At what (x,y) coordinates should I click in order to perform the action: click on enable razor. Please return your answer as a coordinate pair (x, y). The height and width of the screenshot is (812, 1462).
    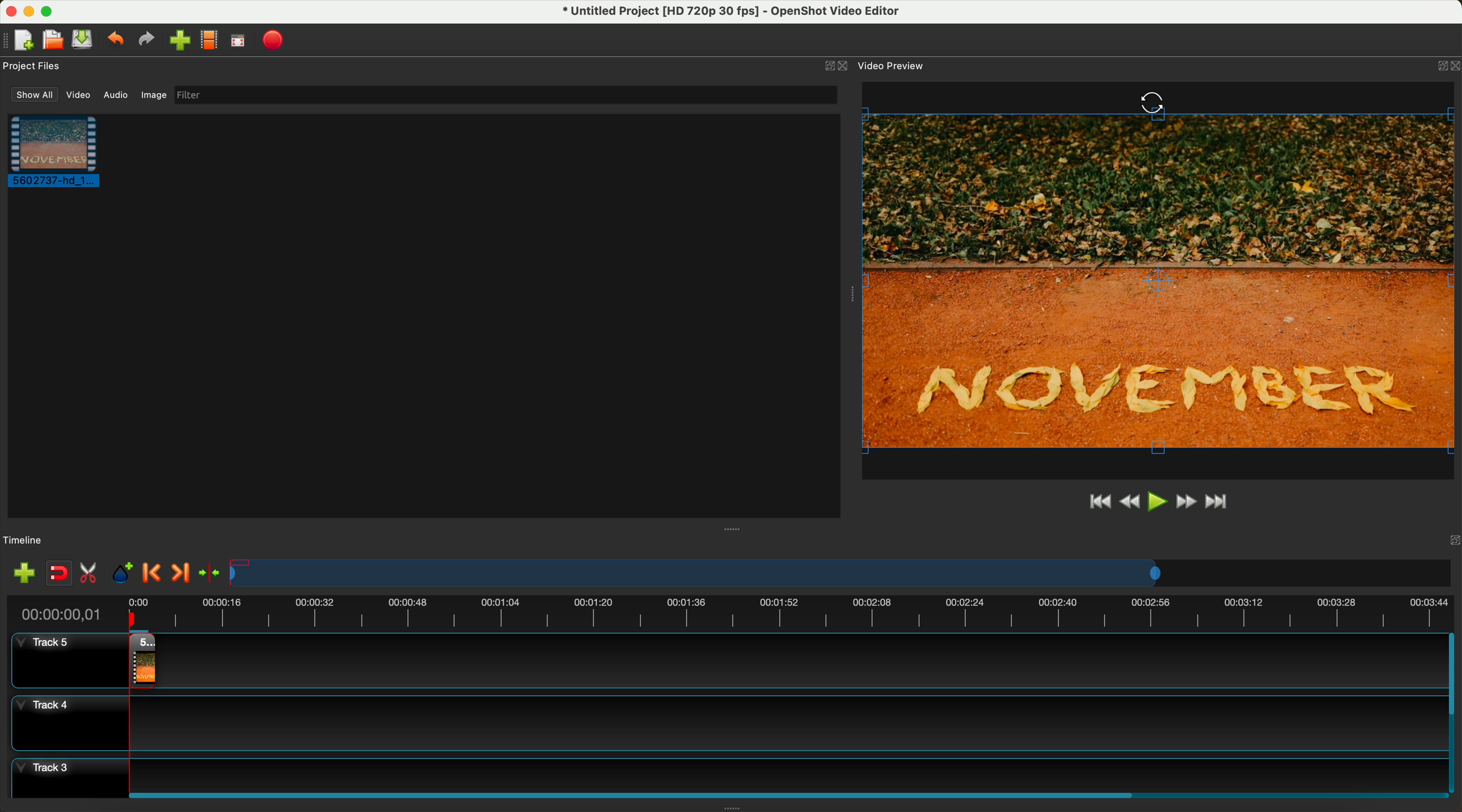
    Looking at the image, I should click on (91, 574).